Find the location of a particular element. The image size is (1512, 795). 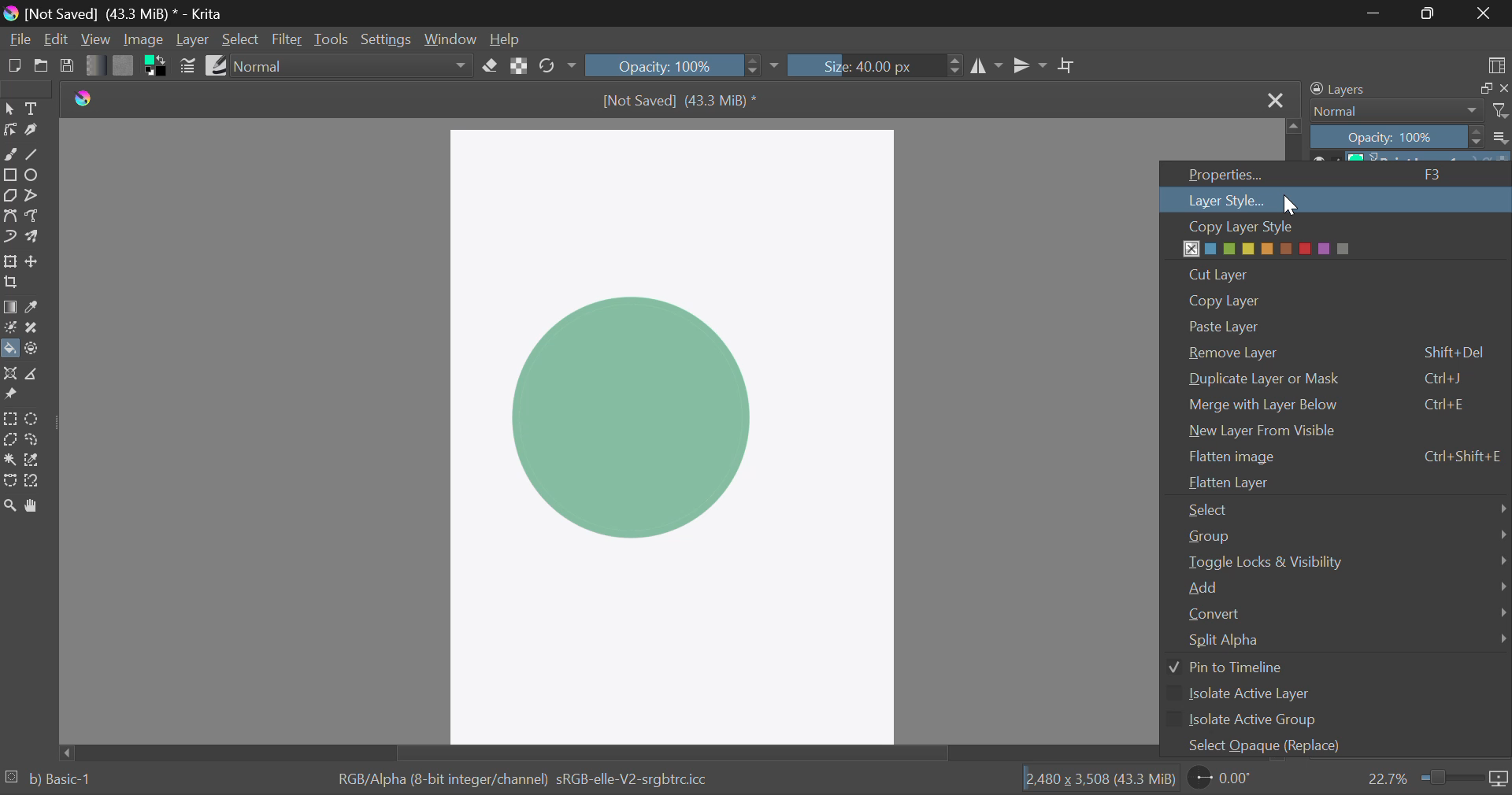

Toggle Locks & Visibility is located at coordinates (1343, 560).